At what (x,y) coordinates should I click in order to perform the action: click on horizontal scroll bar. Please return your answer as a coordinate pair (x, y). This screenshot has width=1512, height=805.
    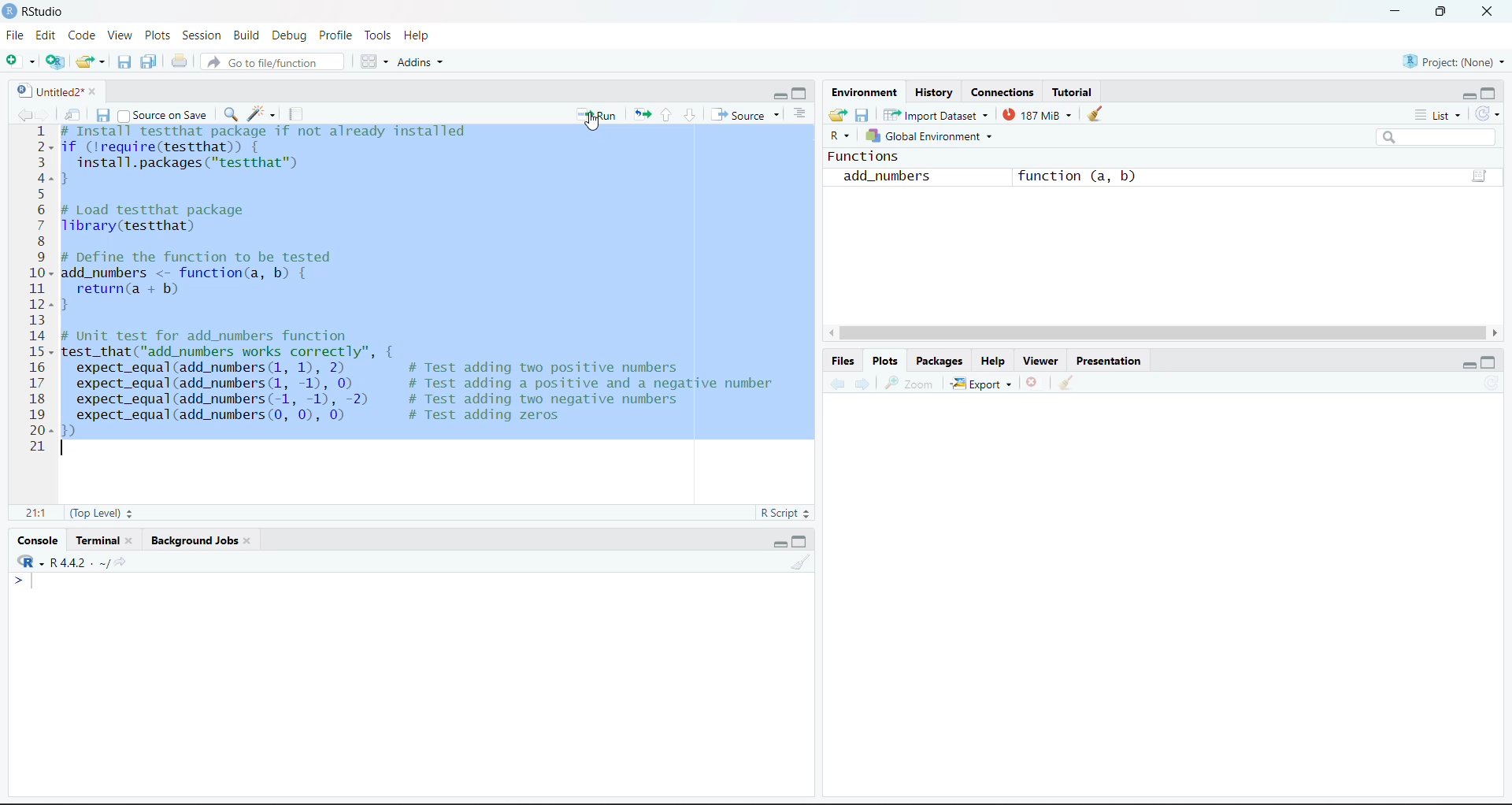
    Looking at the image, I should click on (1162, 333).